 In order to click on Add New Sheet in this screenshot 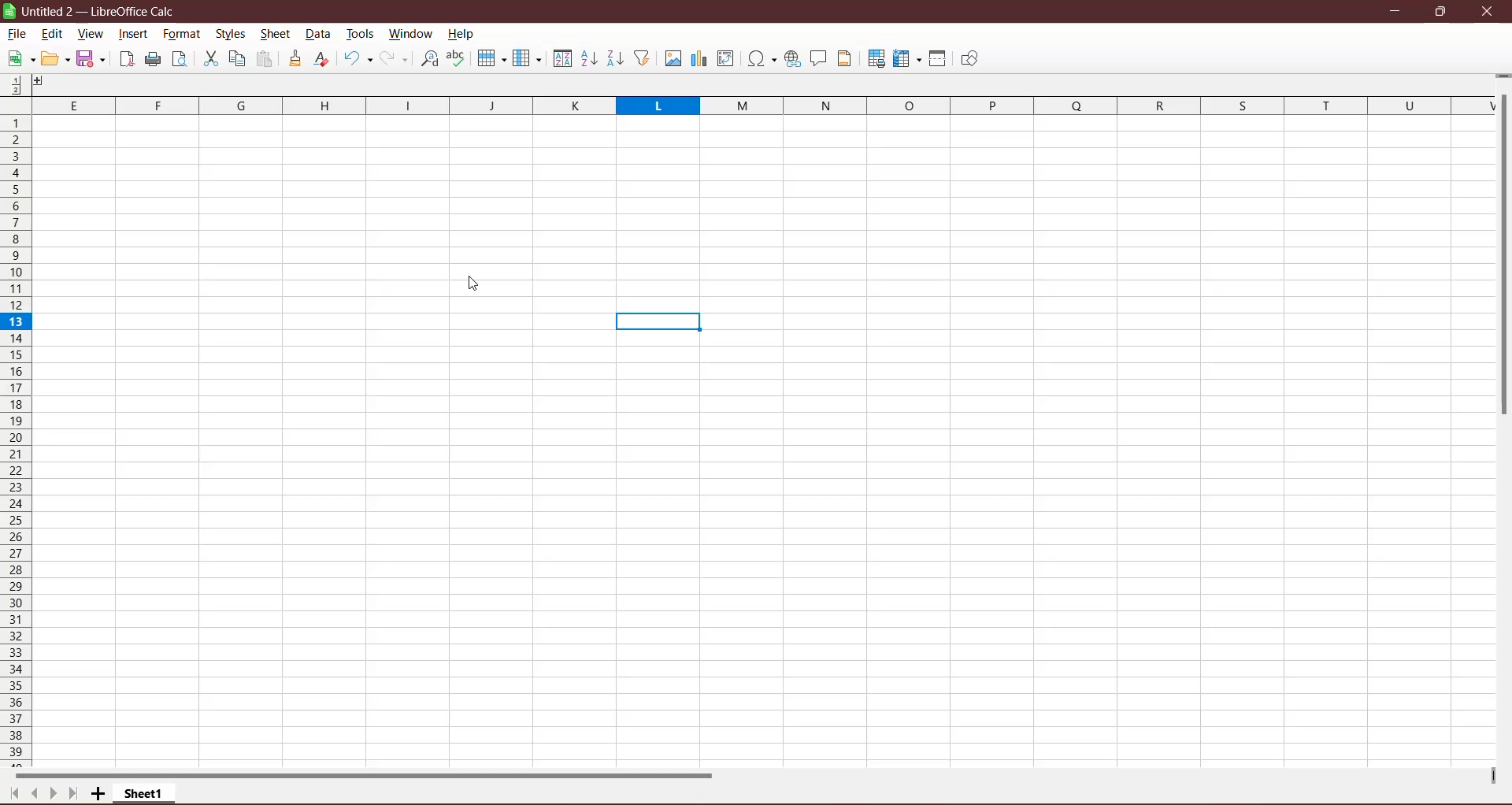, I will do `click(98, 794)`.